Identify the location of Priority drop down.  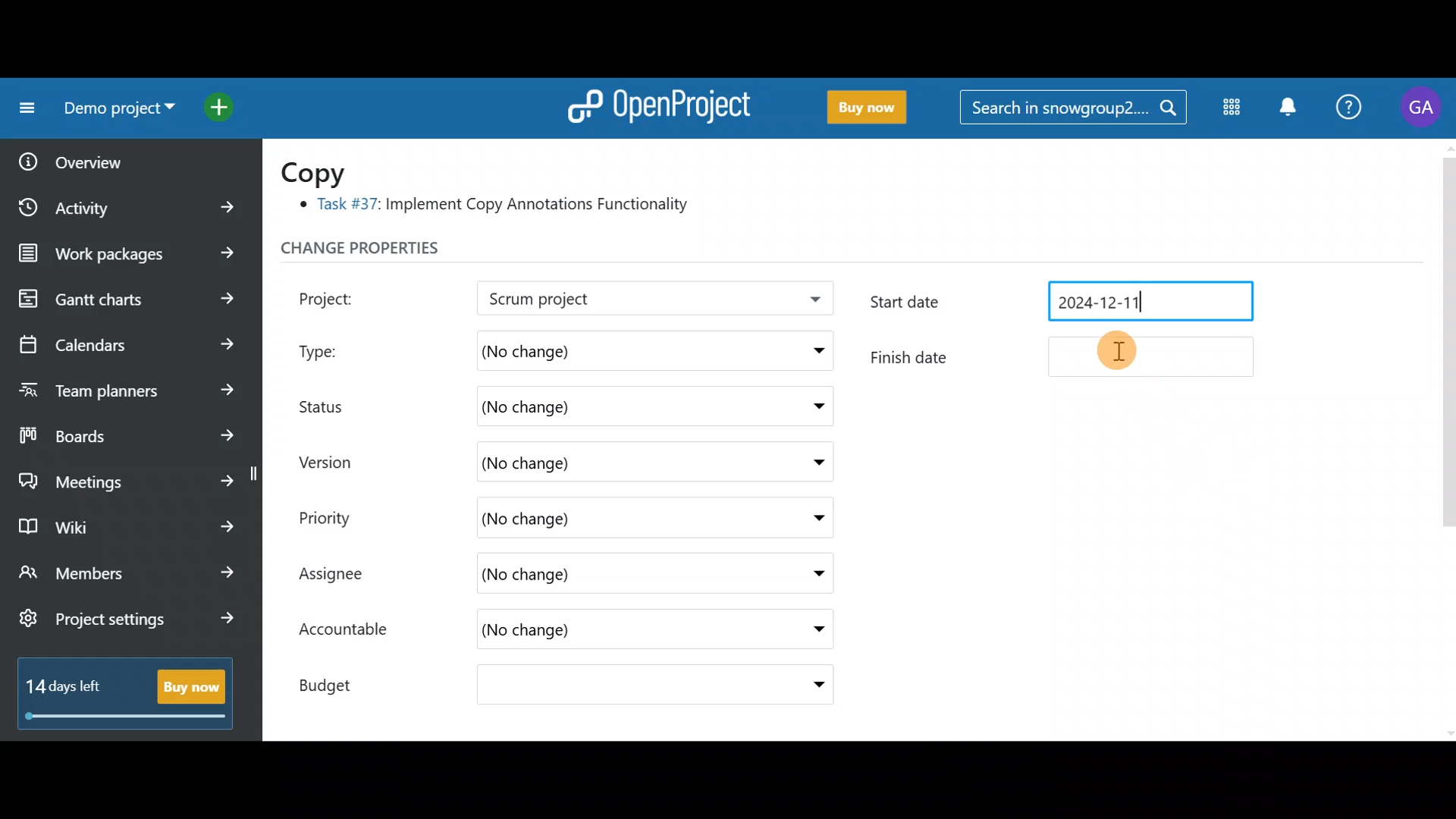
(804, 516).